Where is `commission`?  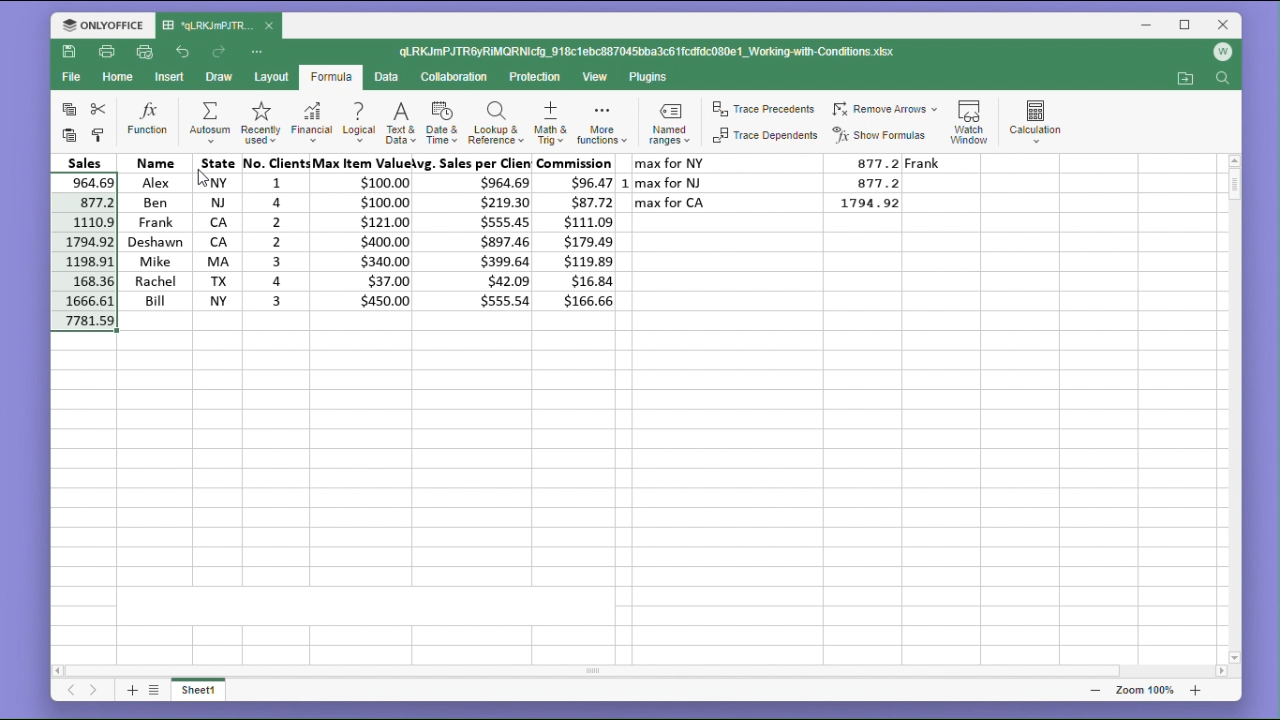
commission is located at coordinates (580, 233).